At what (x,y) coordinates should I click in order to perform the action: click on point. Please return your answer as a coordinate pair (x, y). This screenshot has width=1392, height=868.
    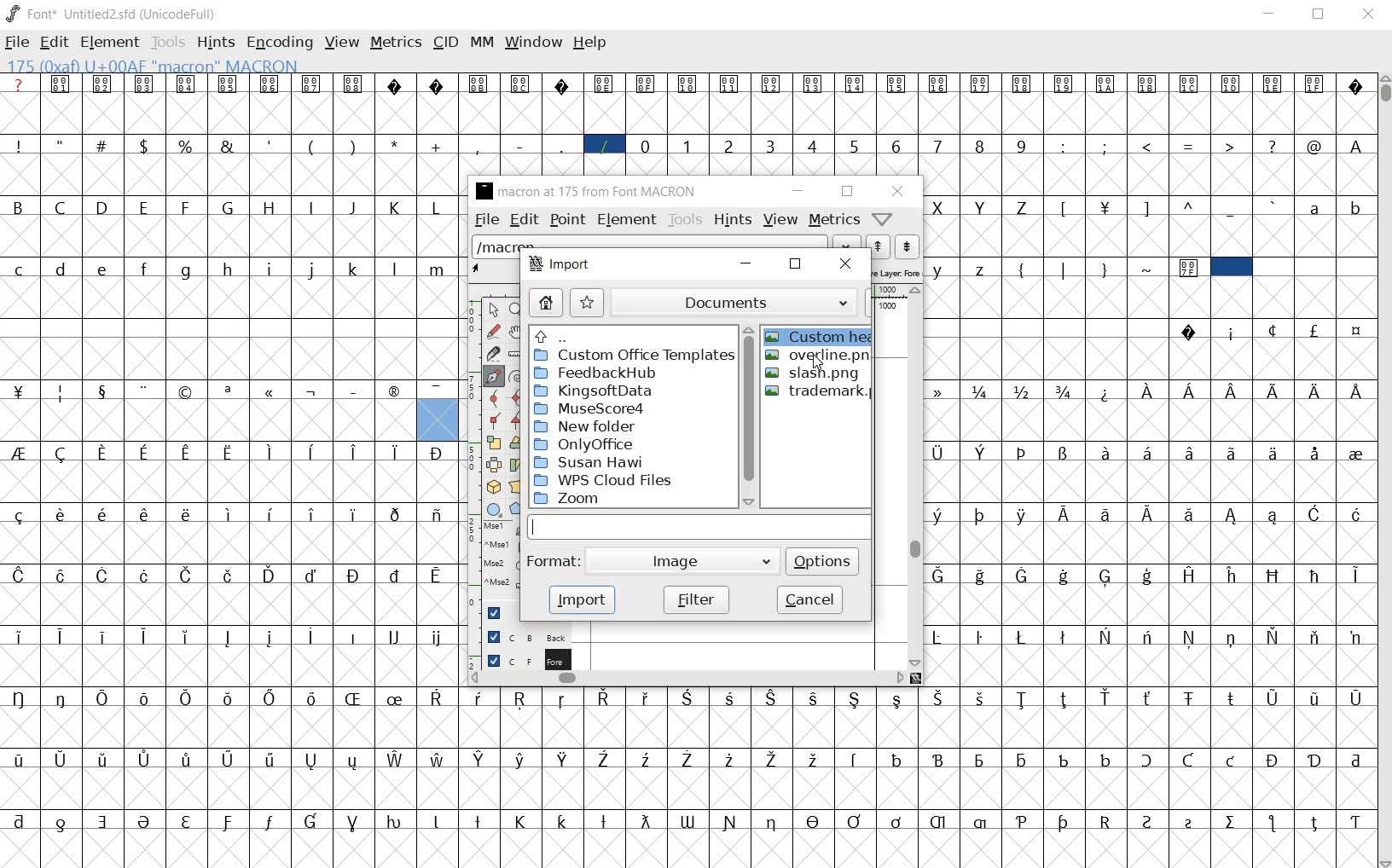
    Looking at the image, I should click on (491, 310).